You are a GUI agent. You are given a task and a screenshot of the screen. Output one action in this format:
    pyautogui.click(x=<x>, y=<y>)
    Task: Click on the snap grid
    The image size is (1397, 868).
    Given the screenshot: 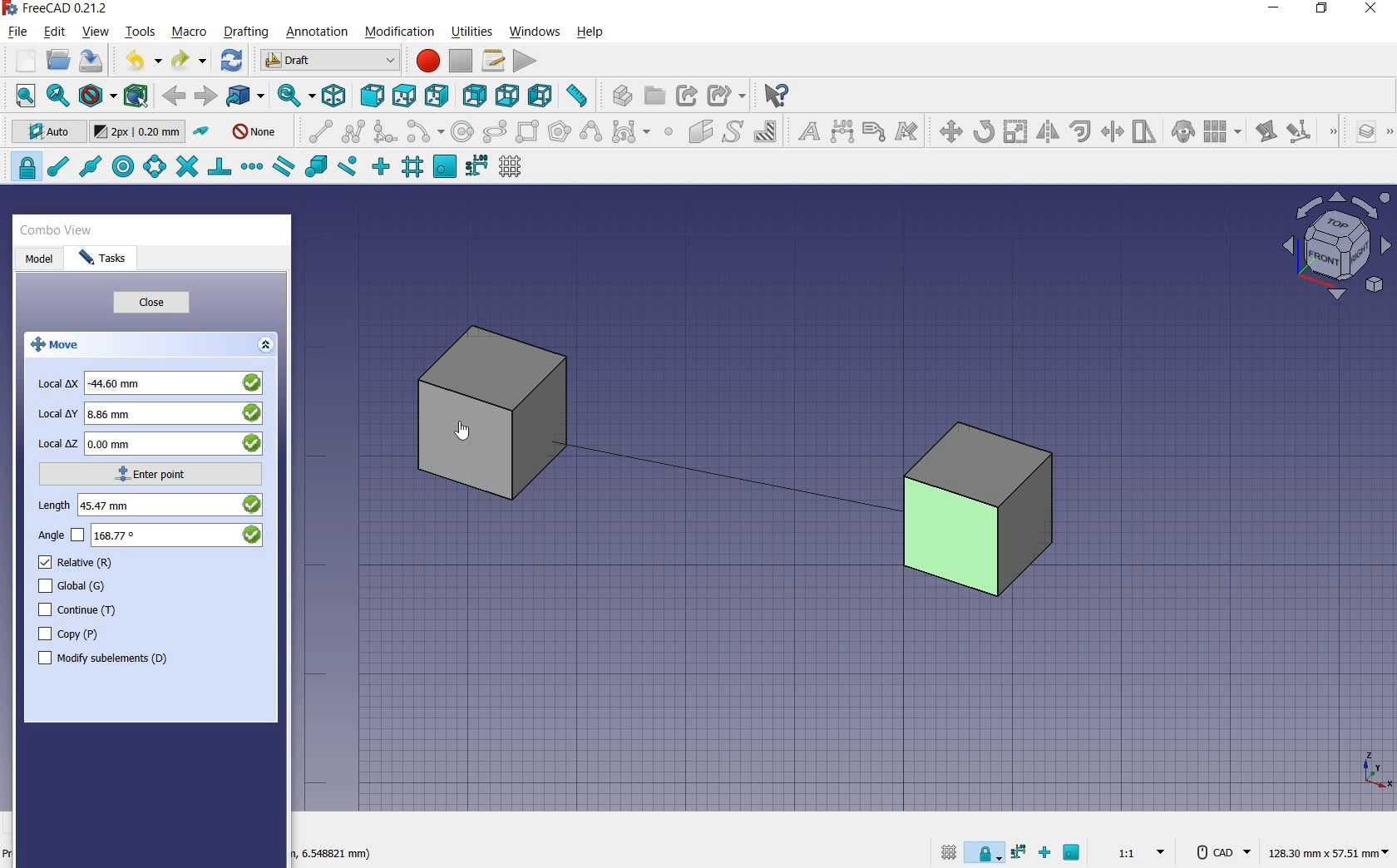 What is the action you would take?
    pyautogui.click(x=412, y=168)
    